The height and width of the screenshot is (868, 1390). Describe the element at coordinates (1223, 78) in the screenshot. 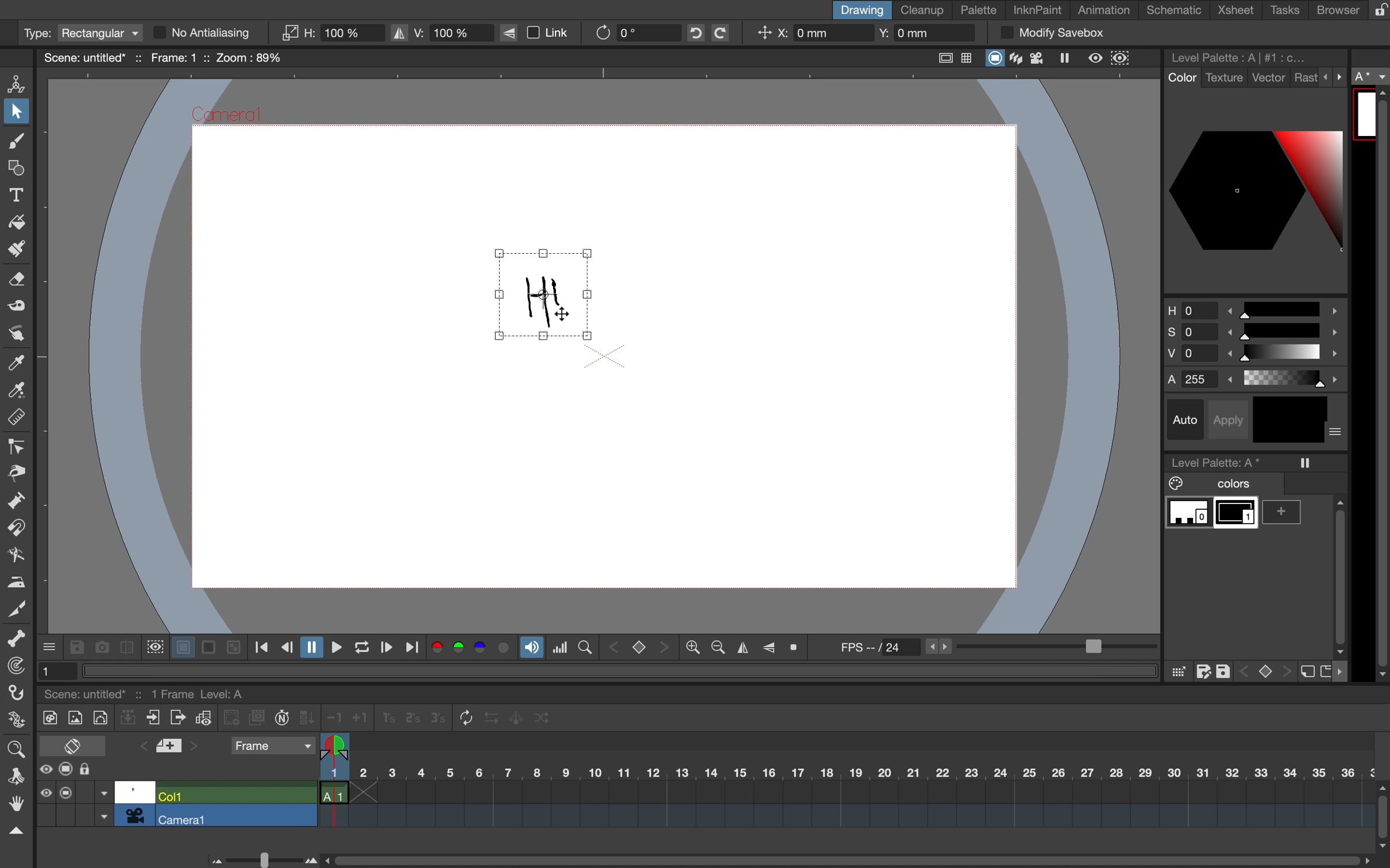

I see `texture` at that location.